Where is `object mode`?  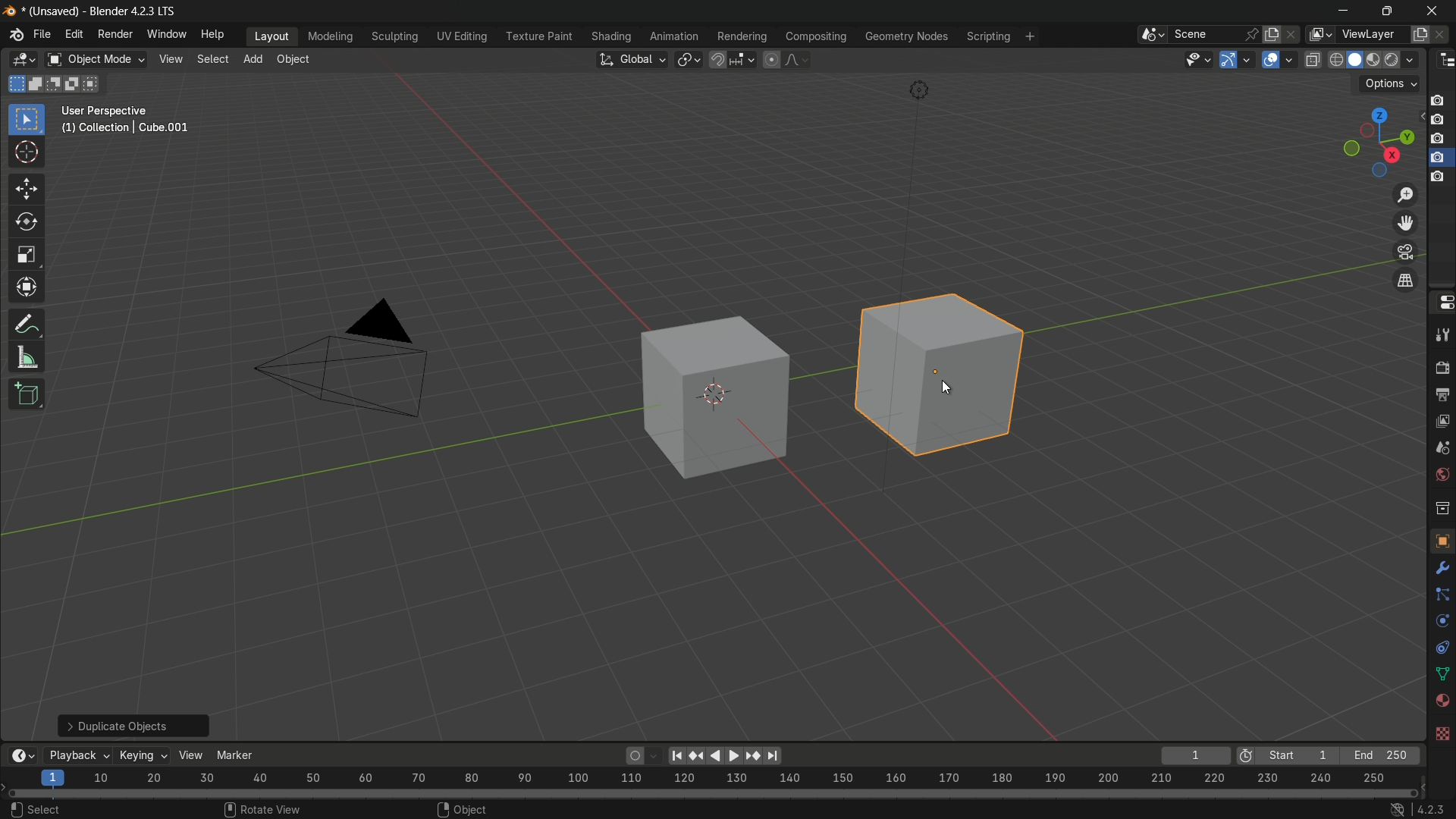 object mode is located at coordinates (96, 59).